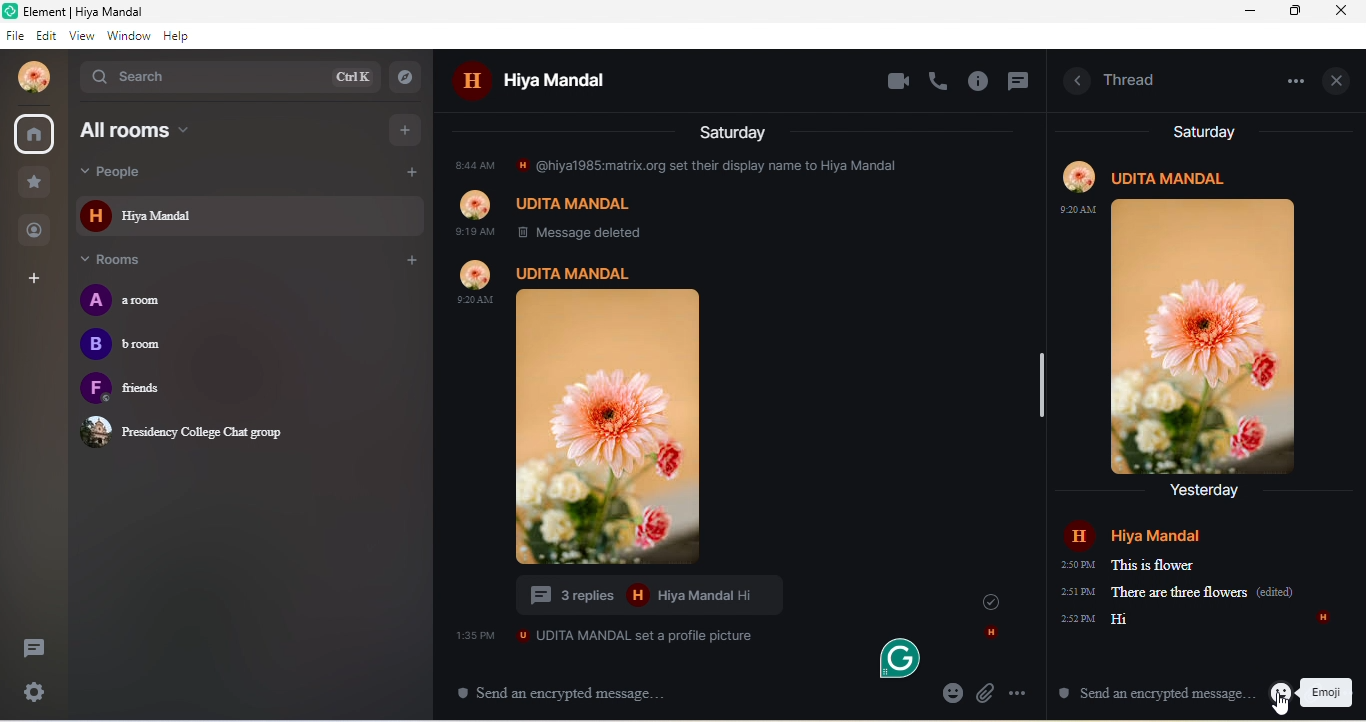 The width and height of the screenshot is (1366, 722). What do you see at coordinates (405, 130) in the screenshot?
I see `Add` at bounding box center [405, 130].